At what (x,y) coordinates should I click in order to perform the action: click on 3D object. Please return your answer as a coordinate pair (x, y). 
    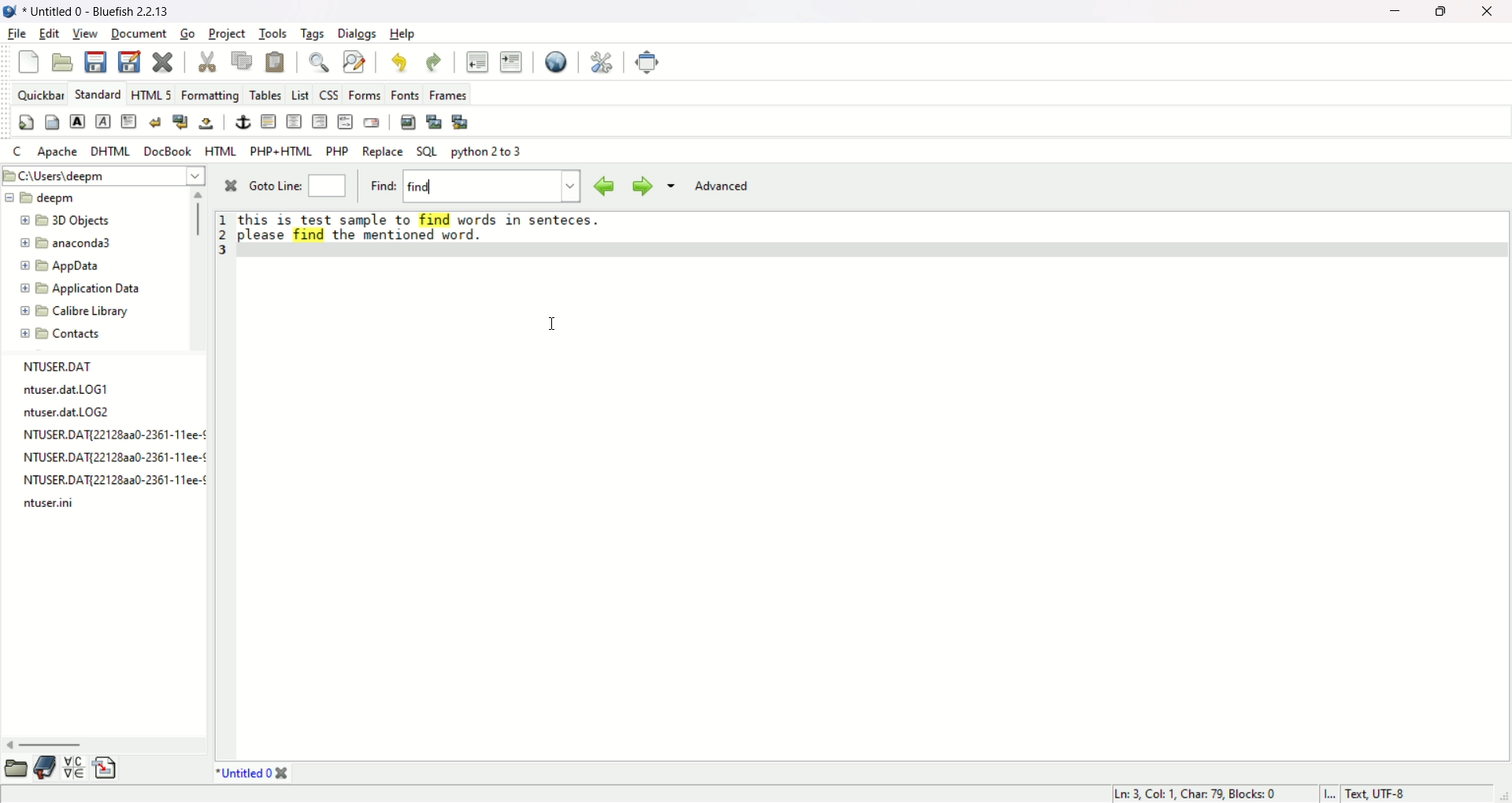
    Looking at the image, I should click on (63, 220).